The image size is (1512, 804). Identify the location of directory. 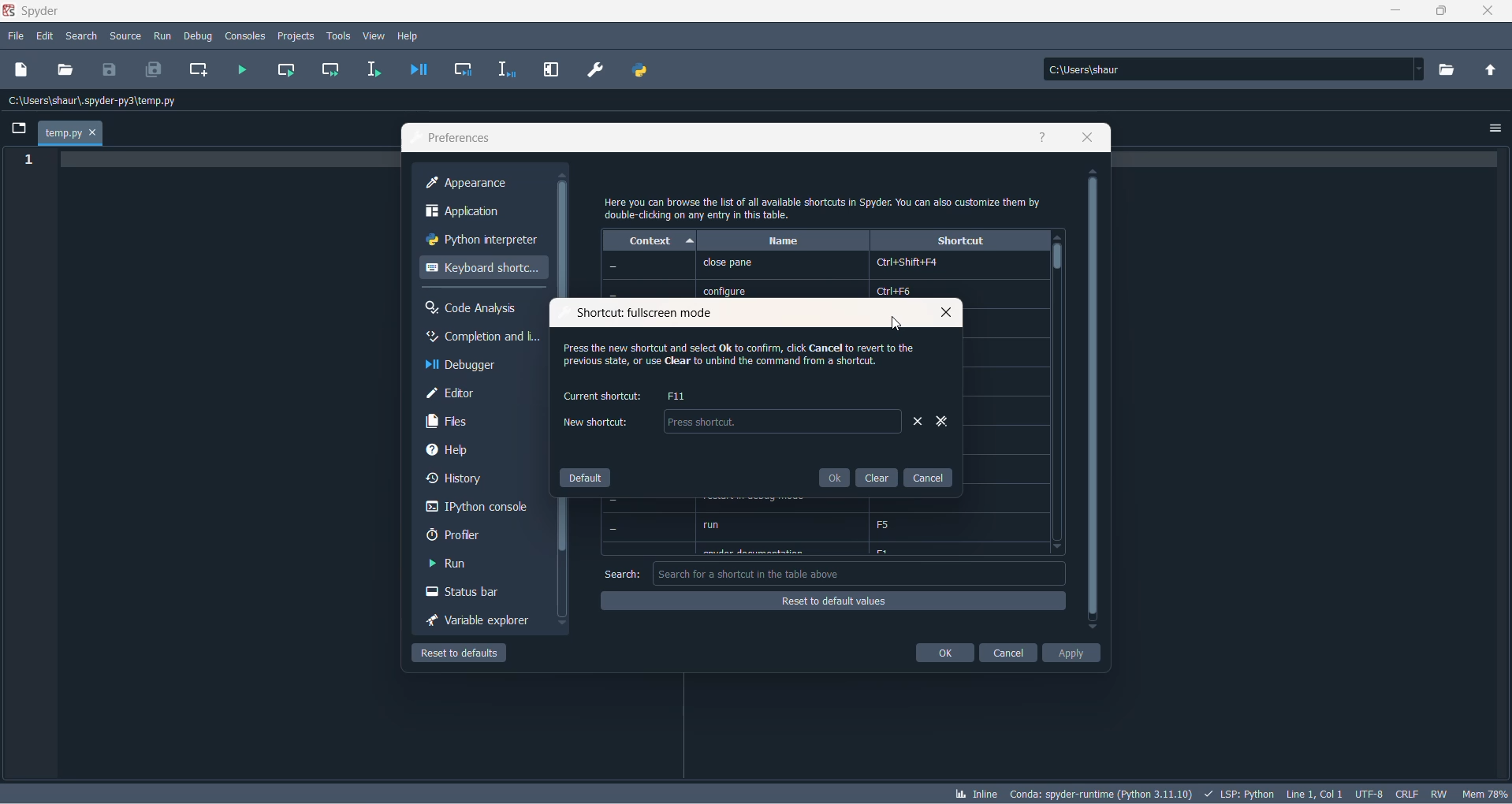
(1451, 70).